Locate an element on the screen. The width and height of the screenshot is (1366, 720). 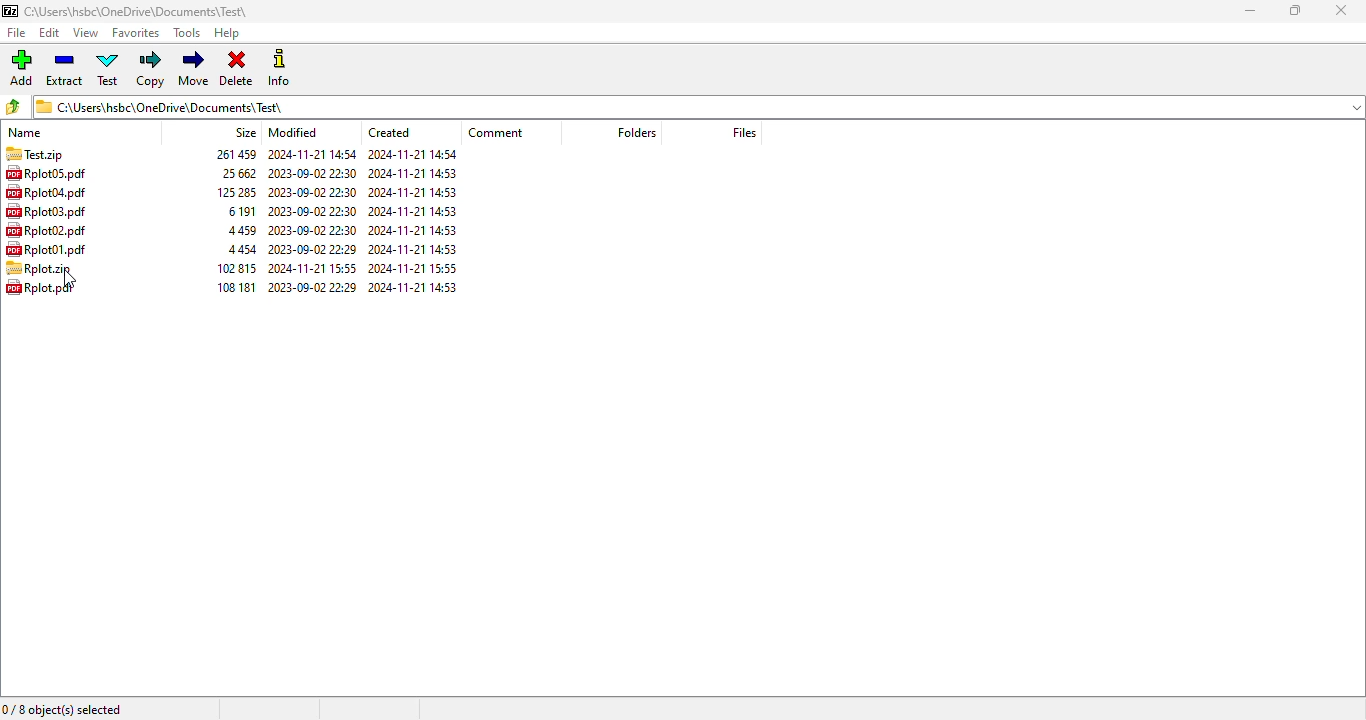
favorites is located at coordinates (136, 33).